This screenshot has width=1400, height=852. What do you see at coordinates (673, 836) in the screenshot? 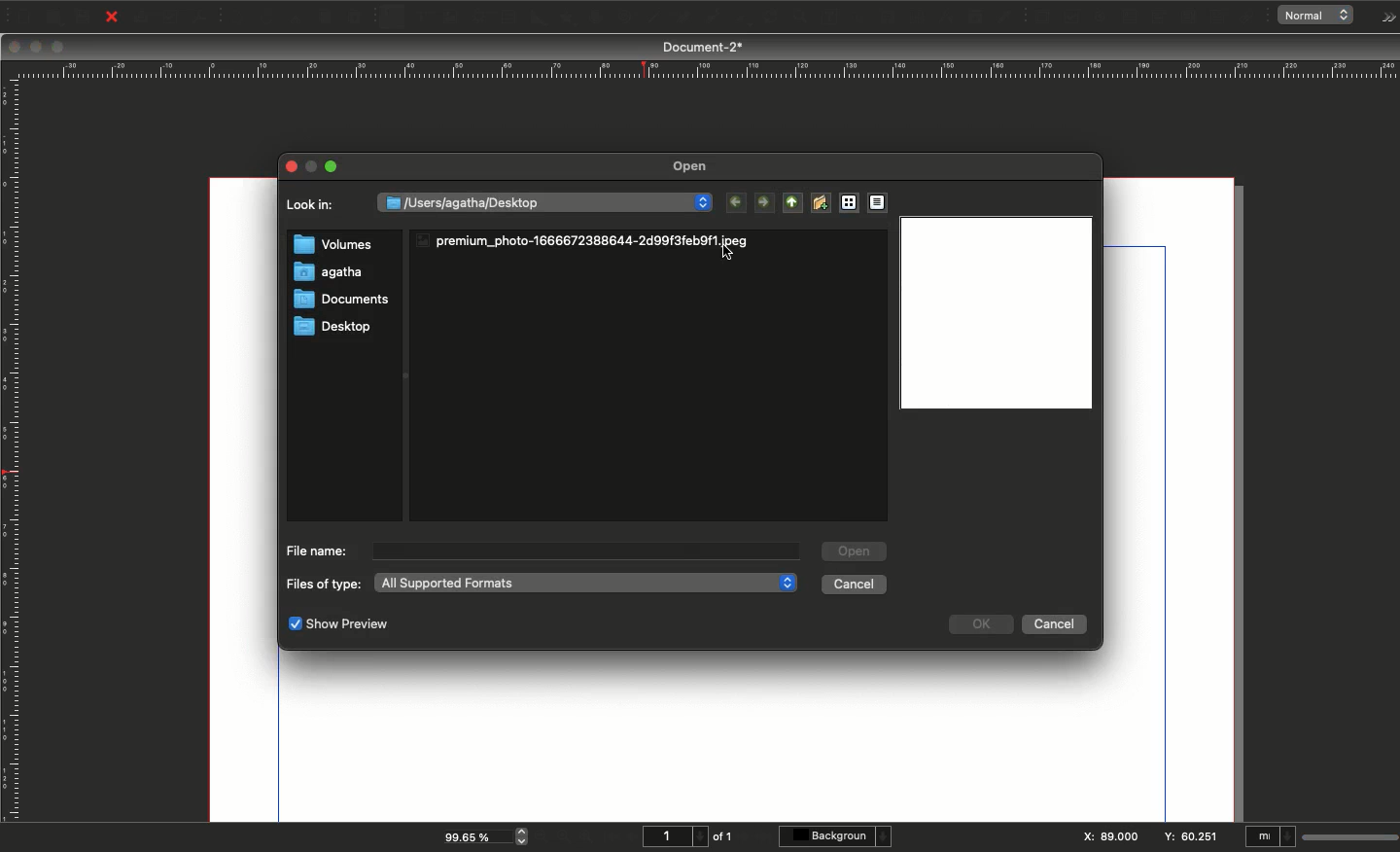
I see `1` at bounding box center [673, 836].